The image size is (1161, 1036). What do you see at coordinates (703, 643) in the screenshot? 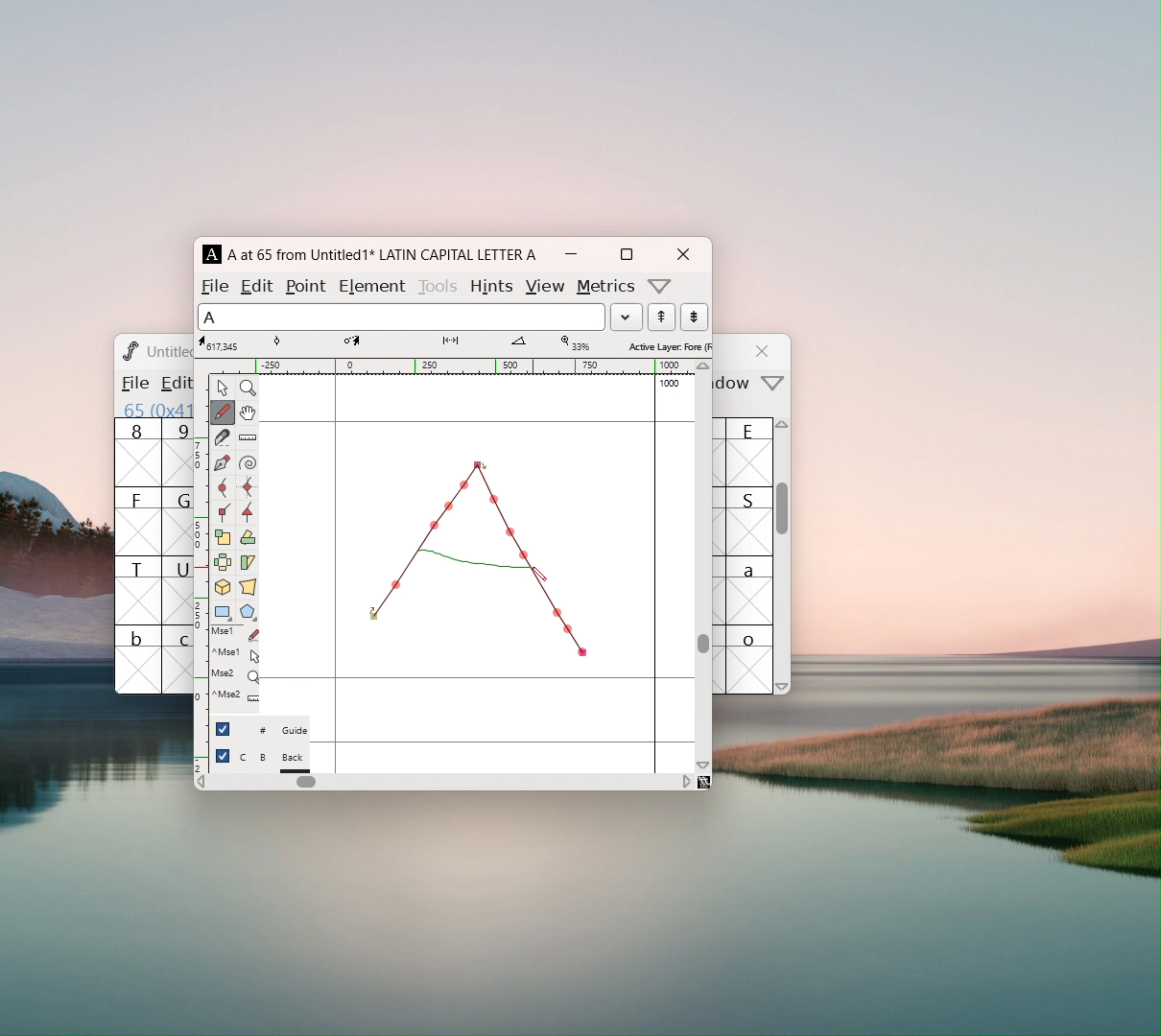
I see `scrollbar` at bounding box center [703, 643].